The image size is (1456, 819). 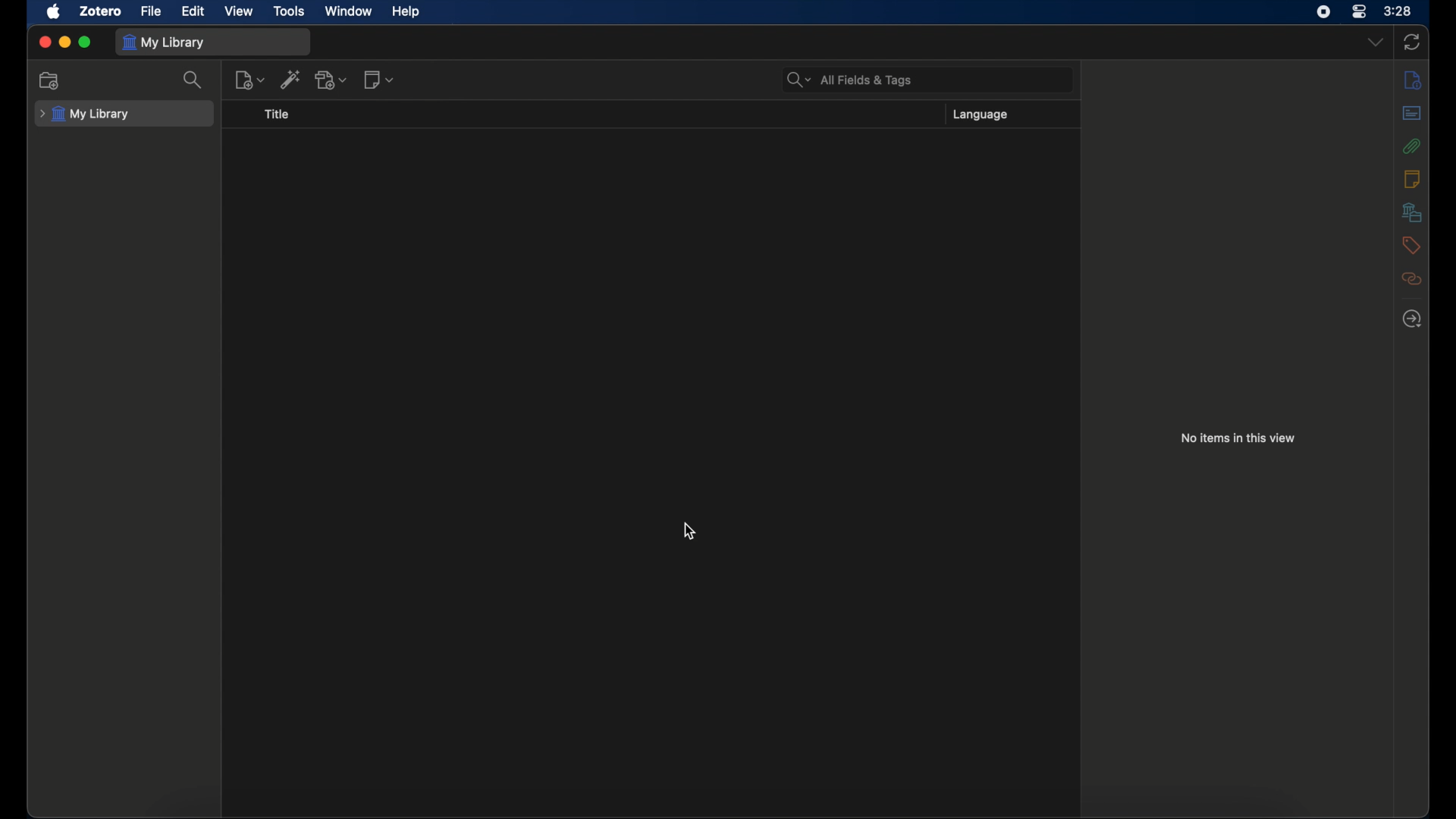 I want to click on screen recorder , so click(x=1323, y=11).